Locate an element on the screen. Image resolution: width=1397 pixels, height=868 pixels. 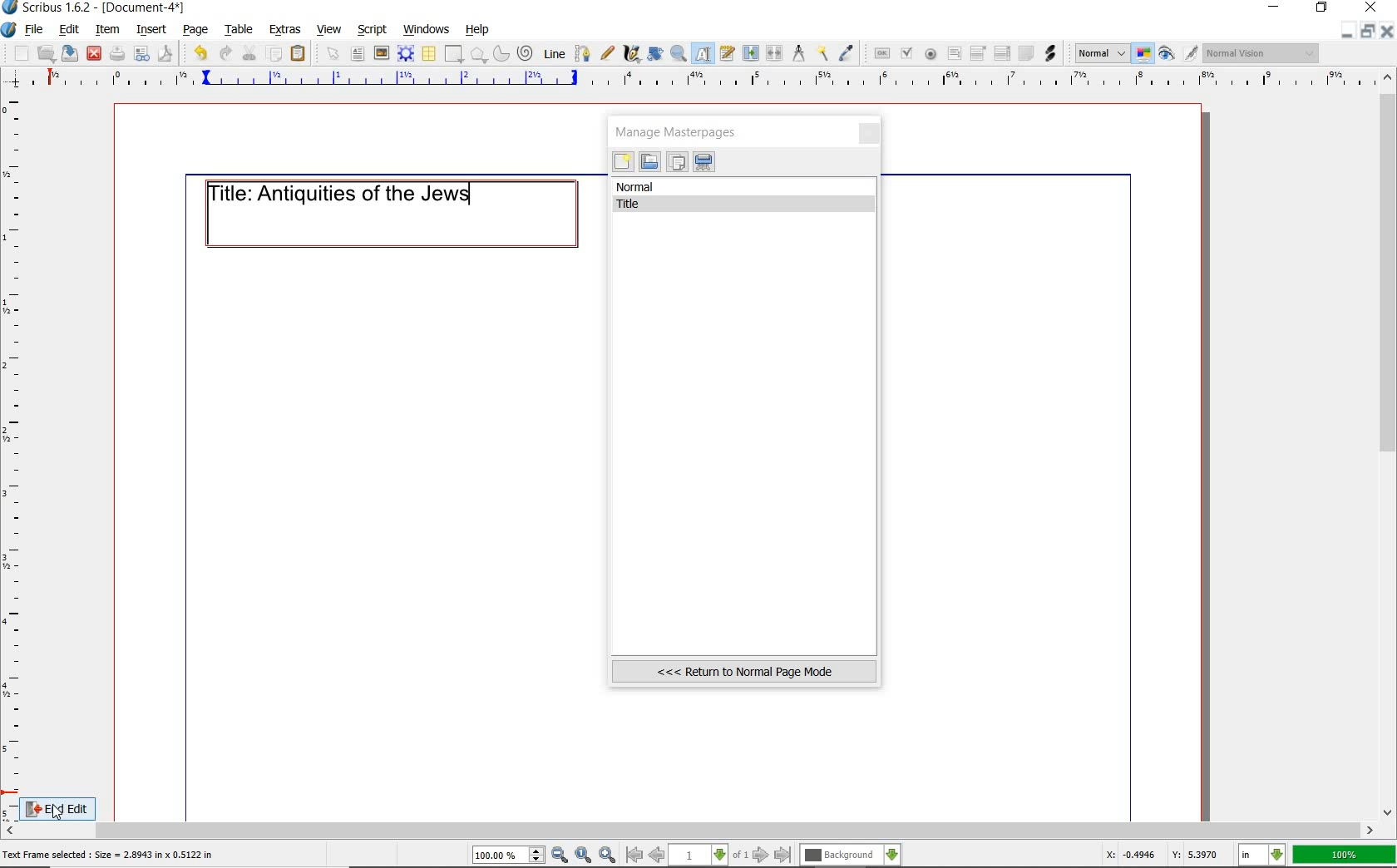
preflight verifier is located at coordinates (142, 55).